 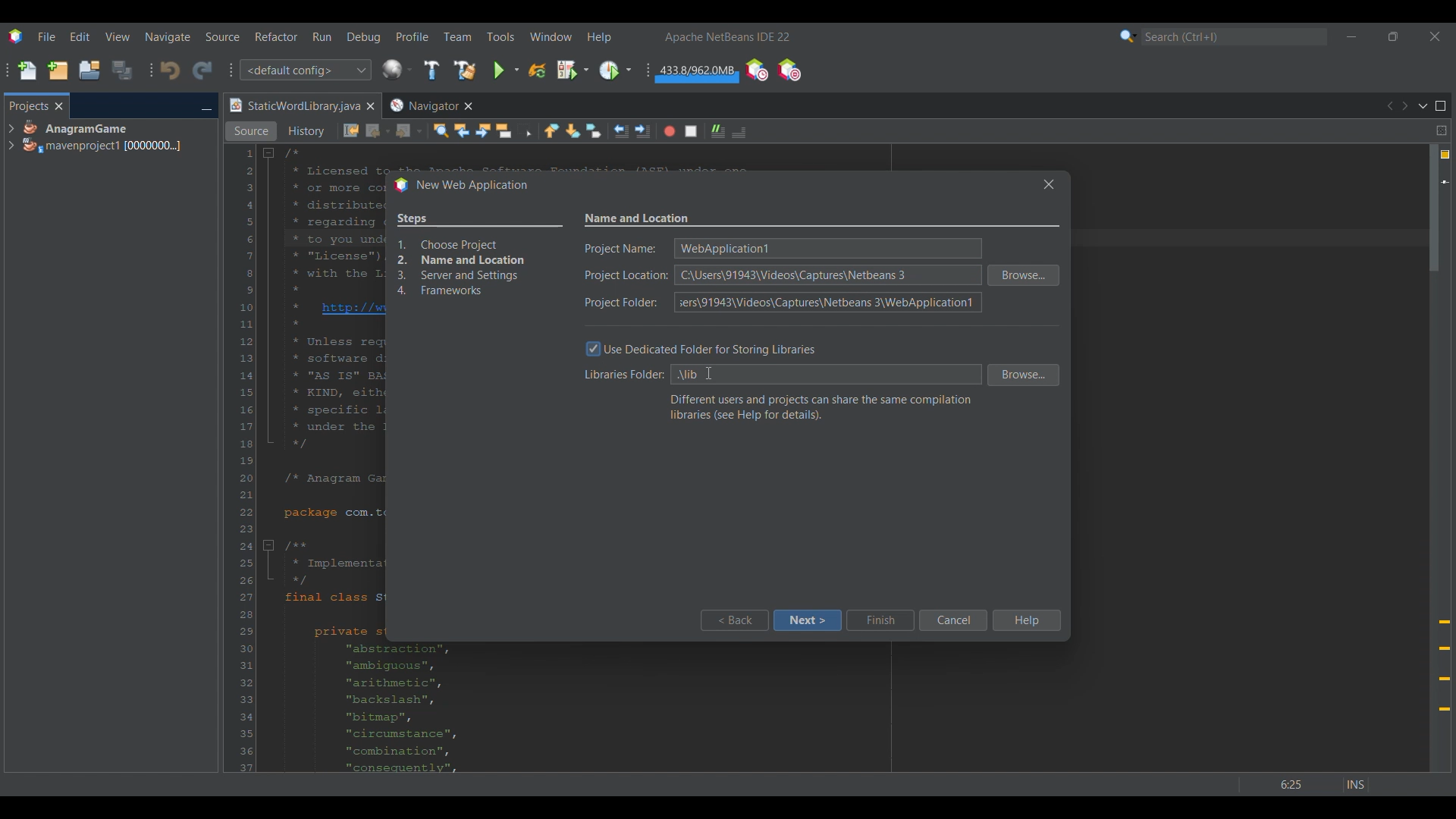 I want to click on Last edit, so click(x=351, y=130).